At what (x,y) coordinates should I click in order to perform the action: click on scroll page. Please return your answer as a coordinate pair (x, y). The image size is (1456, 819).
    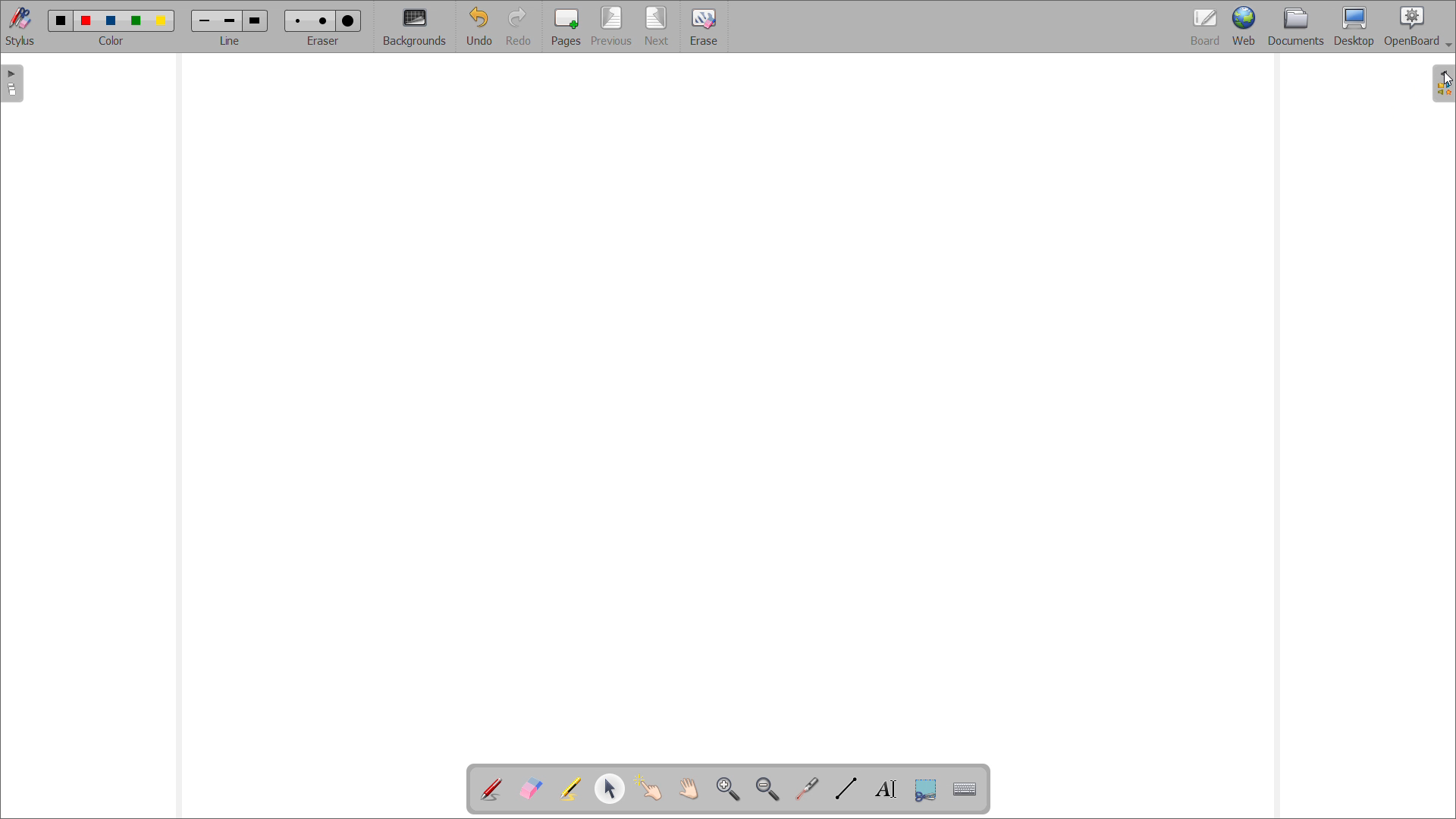
    Looking at the image, I should click on (688, 787).